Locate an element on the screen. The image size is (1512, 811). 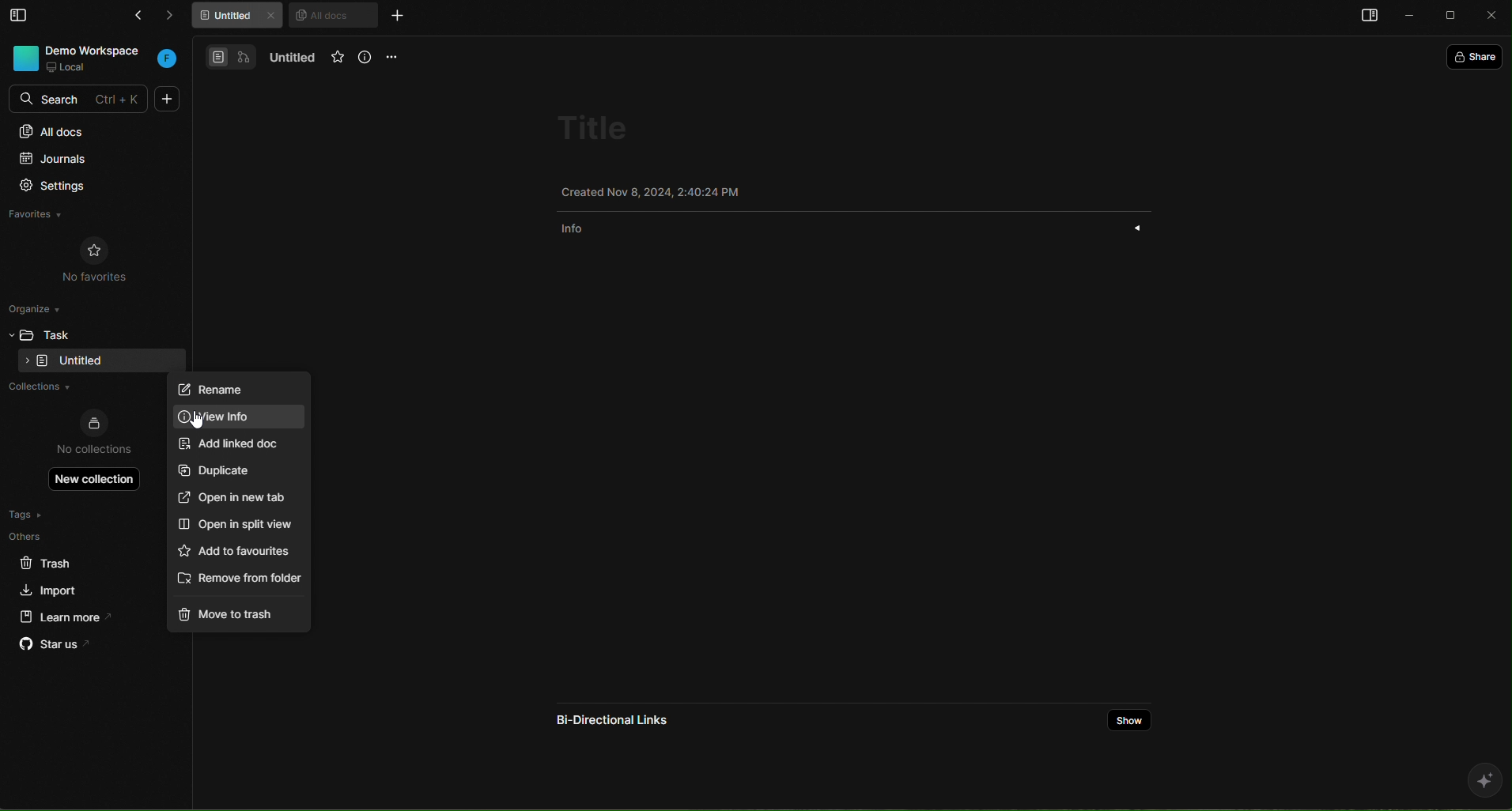
tags is located at coordinates (58, 515).